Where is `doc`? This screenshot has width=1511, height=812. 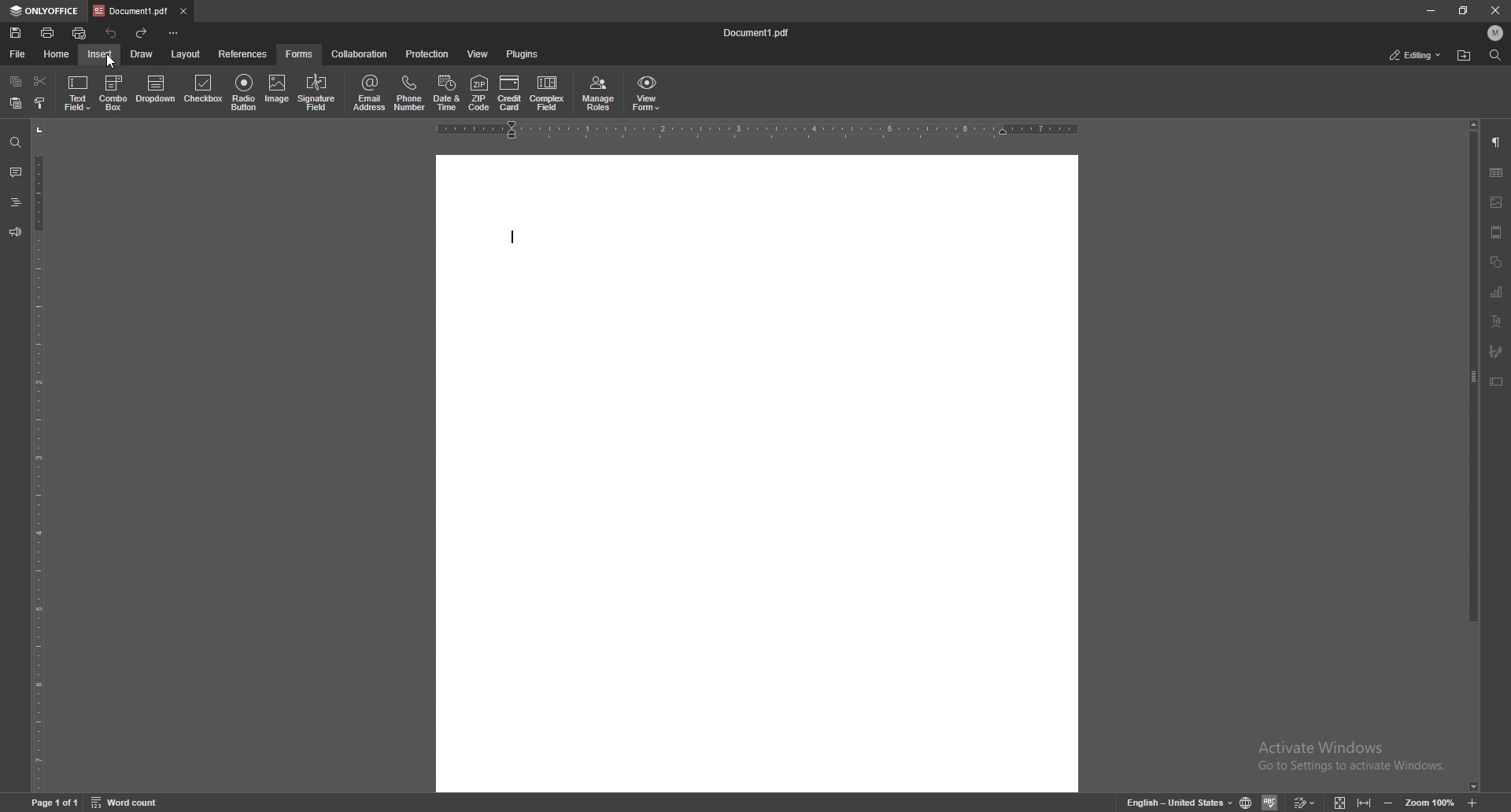 doc is located at coordinates (756, 473).